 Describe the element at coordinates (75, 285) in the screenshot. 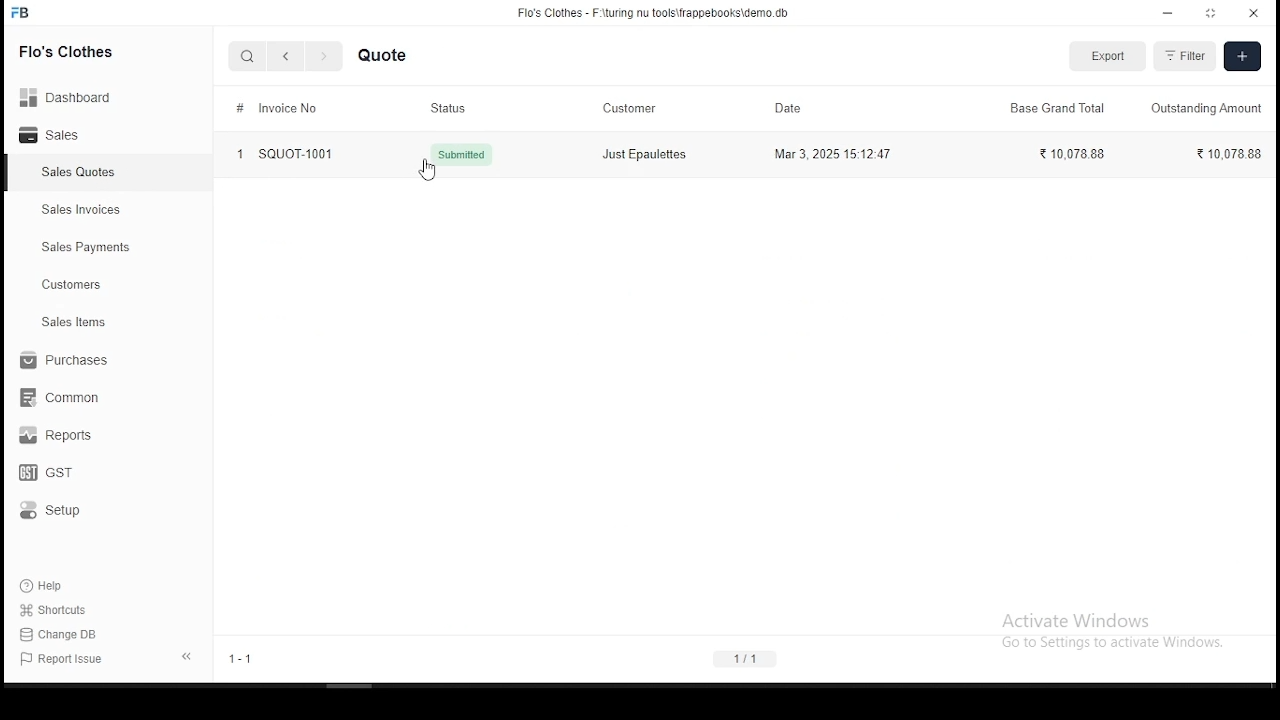

I see `customers` at that location.